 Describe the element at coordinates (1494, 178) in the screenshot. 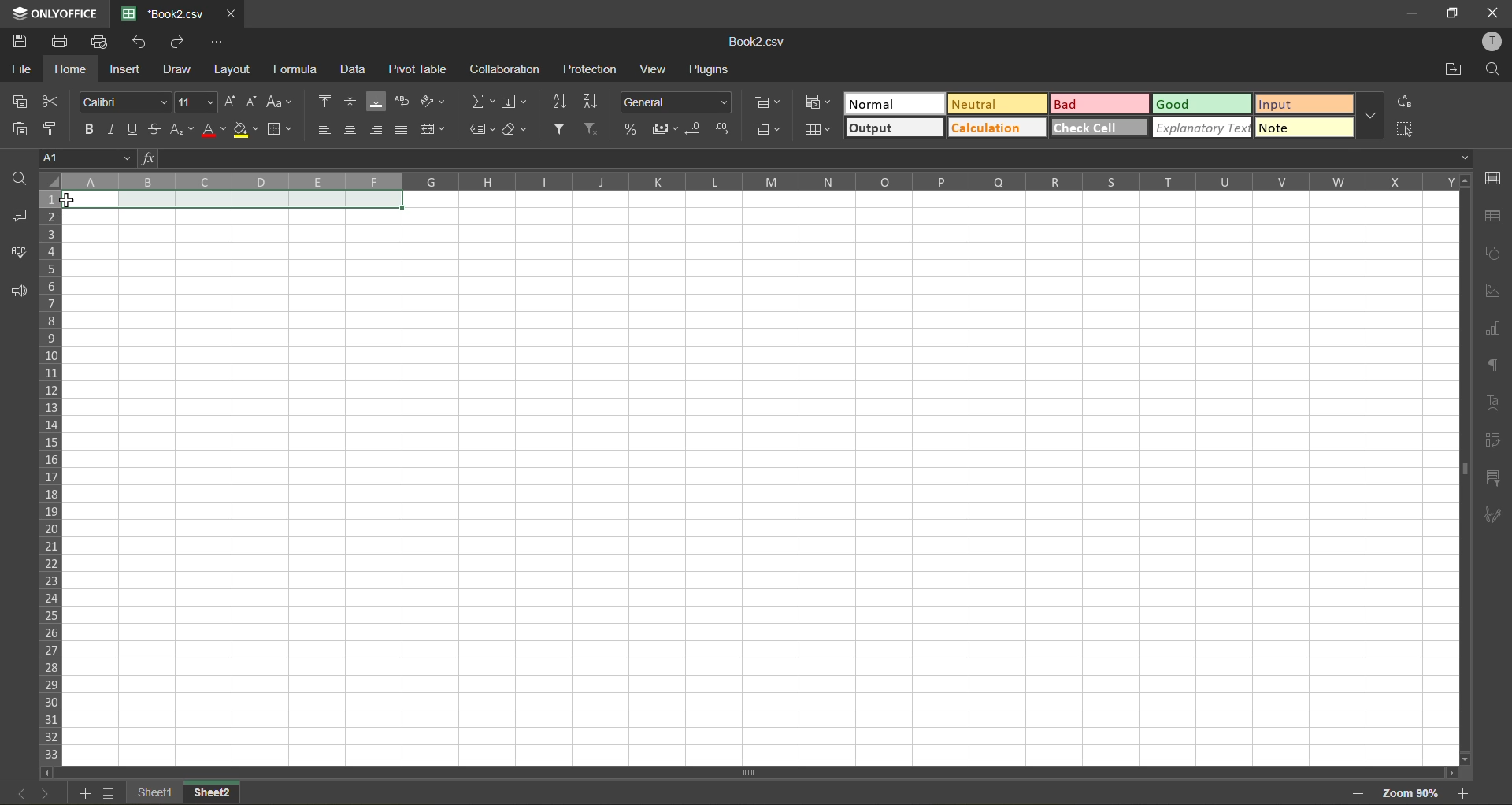

I see `call settings` at that location.